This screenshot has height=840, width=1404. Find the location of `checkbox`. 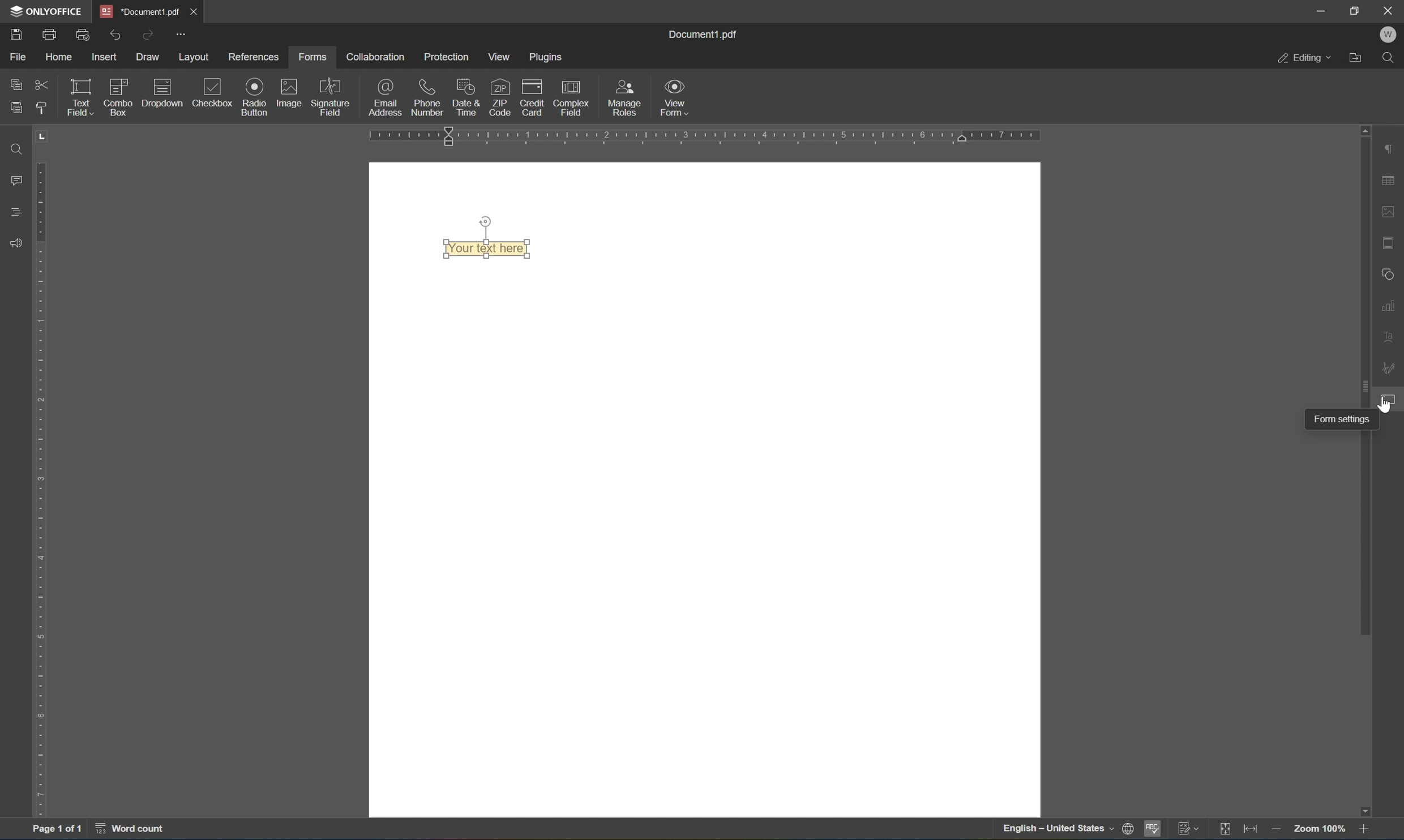

checkbox is located at coordinates (214, 92).